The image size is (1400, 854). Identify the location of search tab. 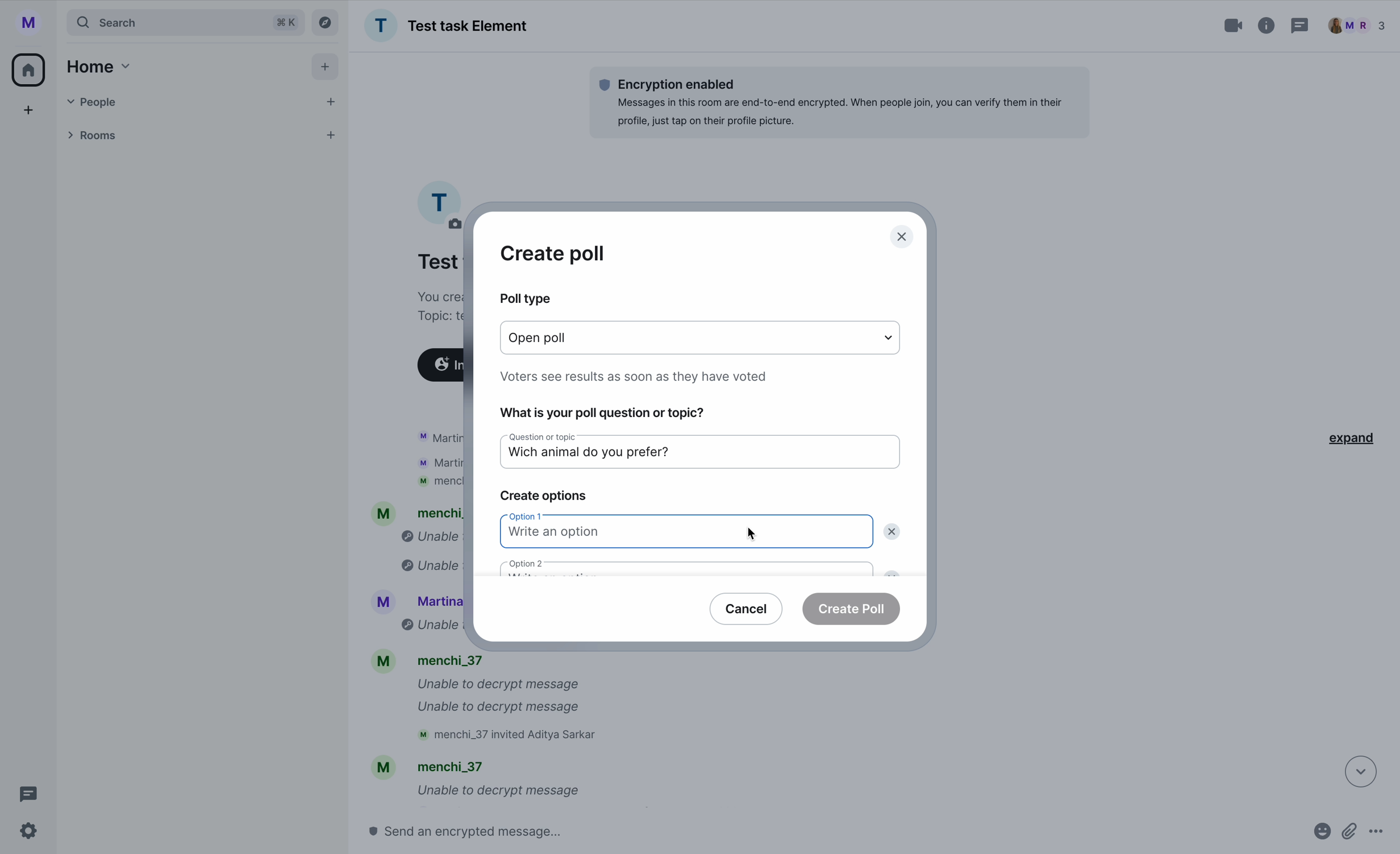
(185, 22).